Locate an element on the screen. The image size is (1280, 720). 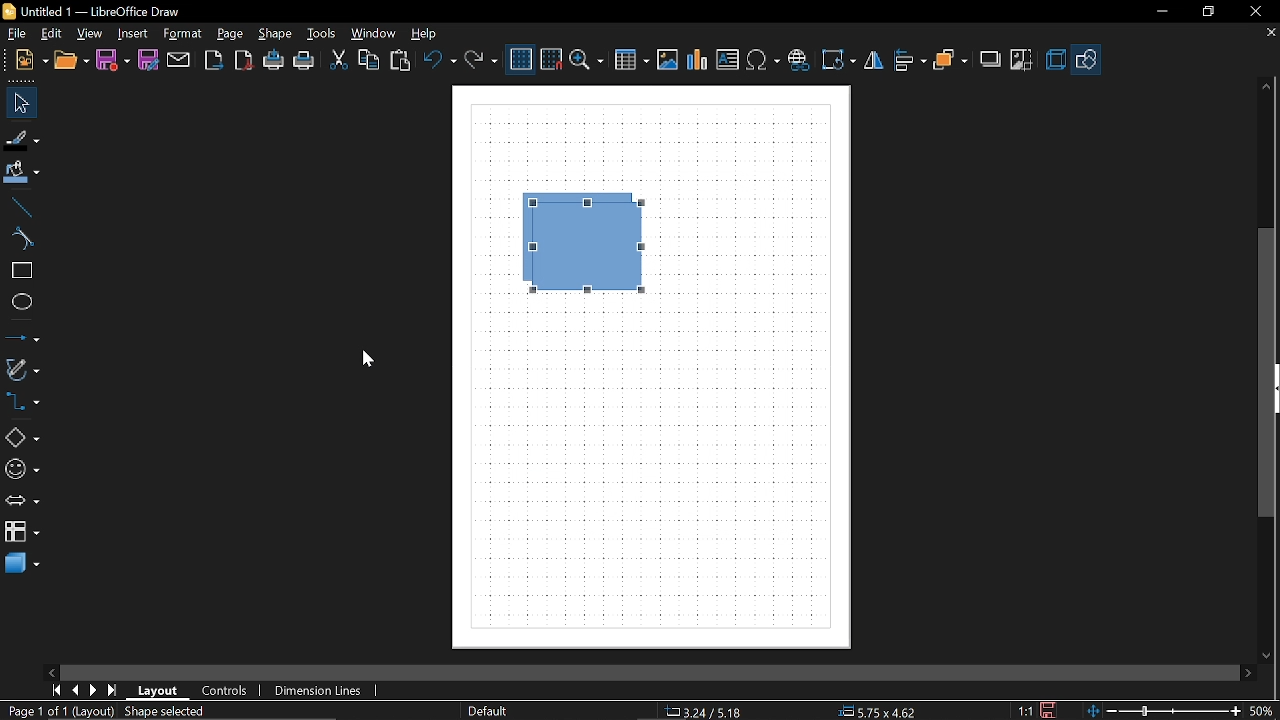
Export is located at coordinates (213, 61).